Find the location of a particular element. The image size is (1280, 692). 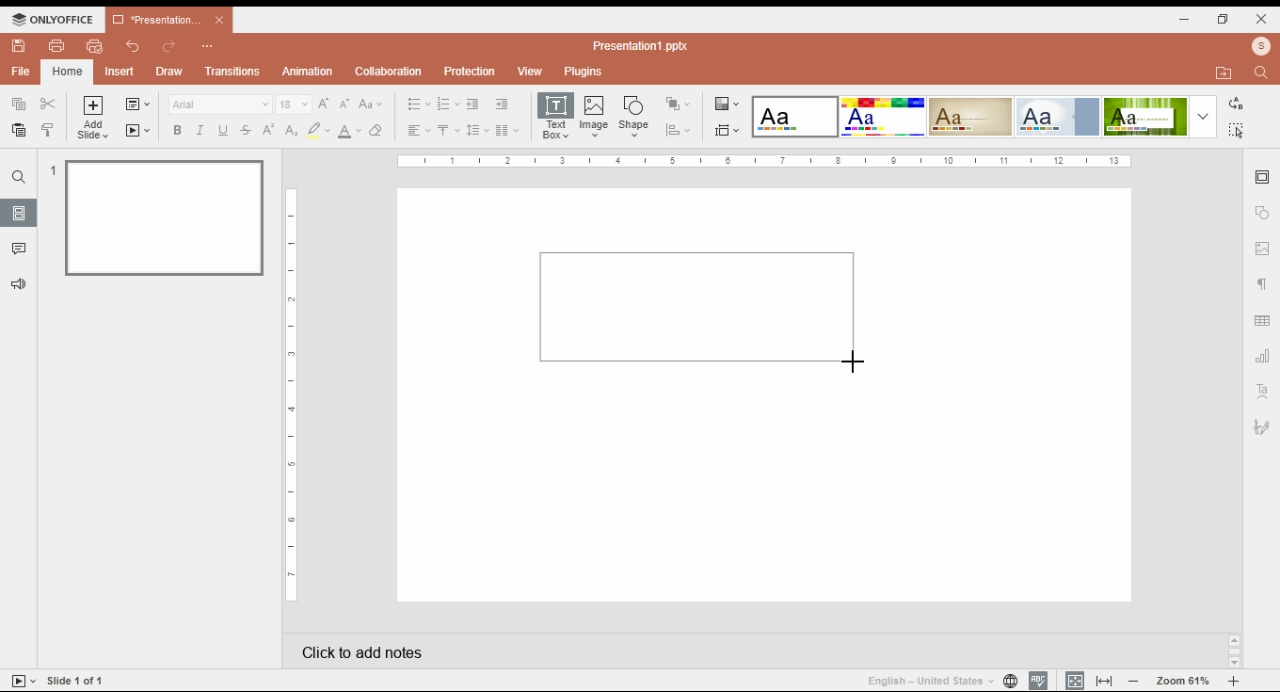

line spacing is located at coordinates (479, 130).